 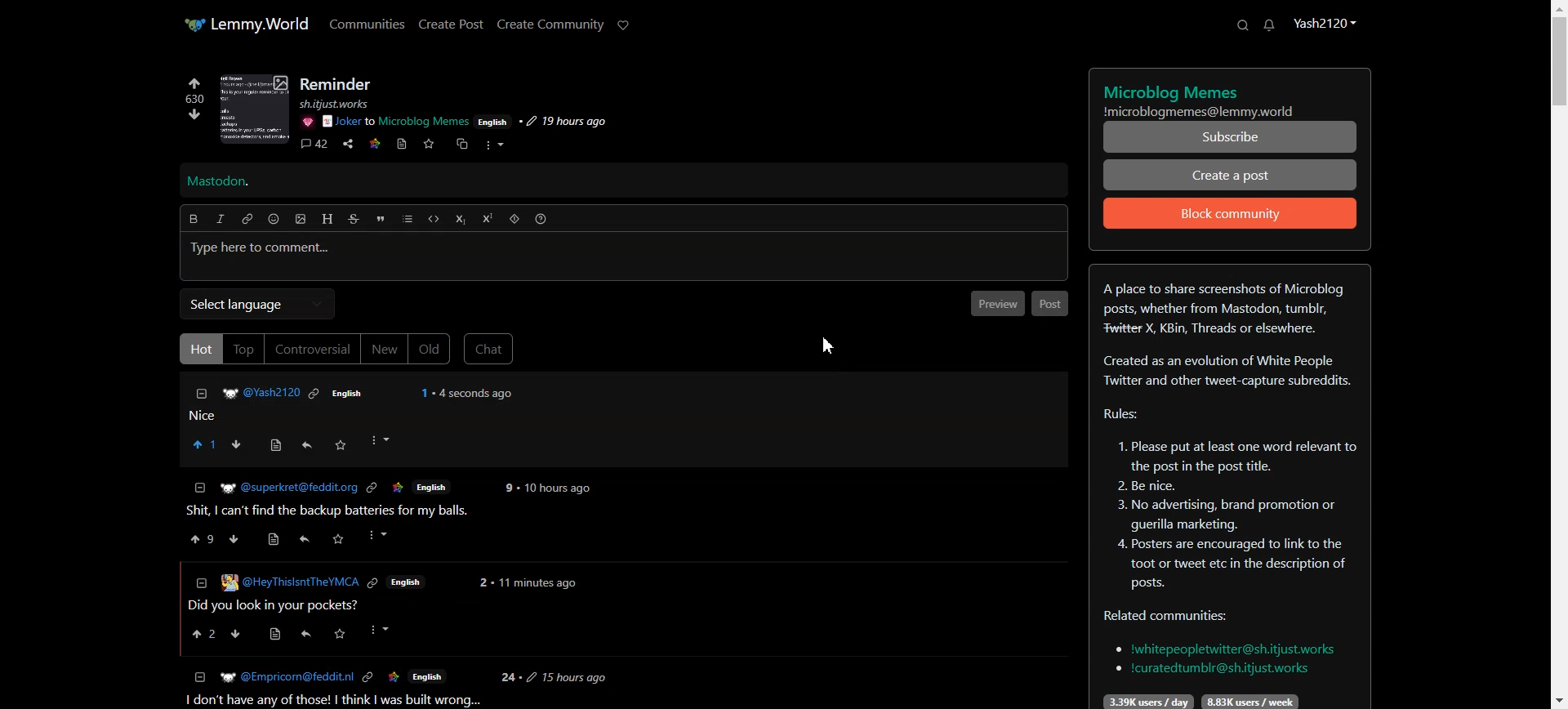 What do you see at coordinates (996, 303) in the screenshot?
I see `Preview` at bounding box center [996, 303].